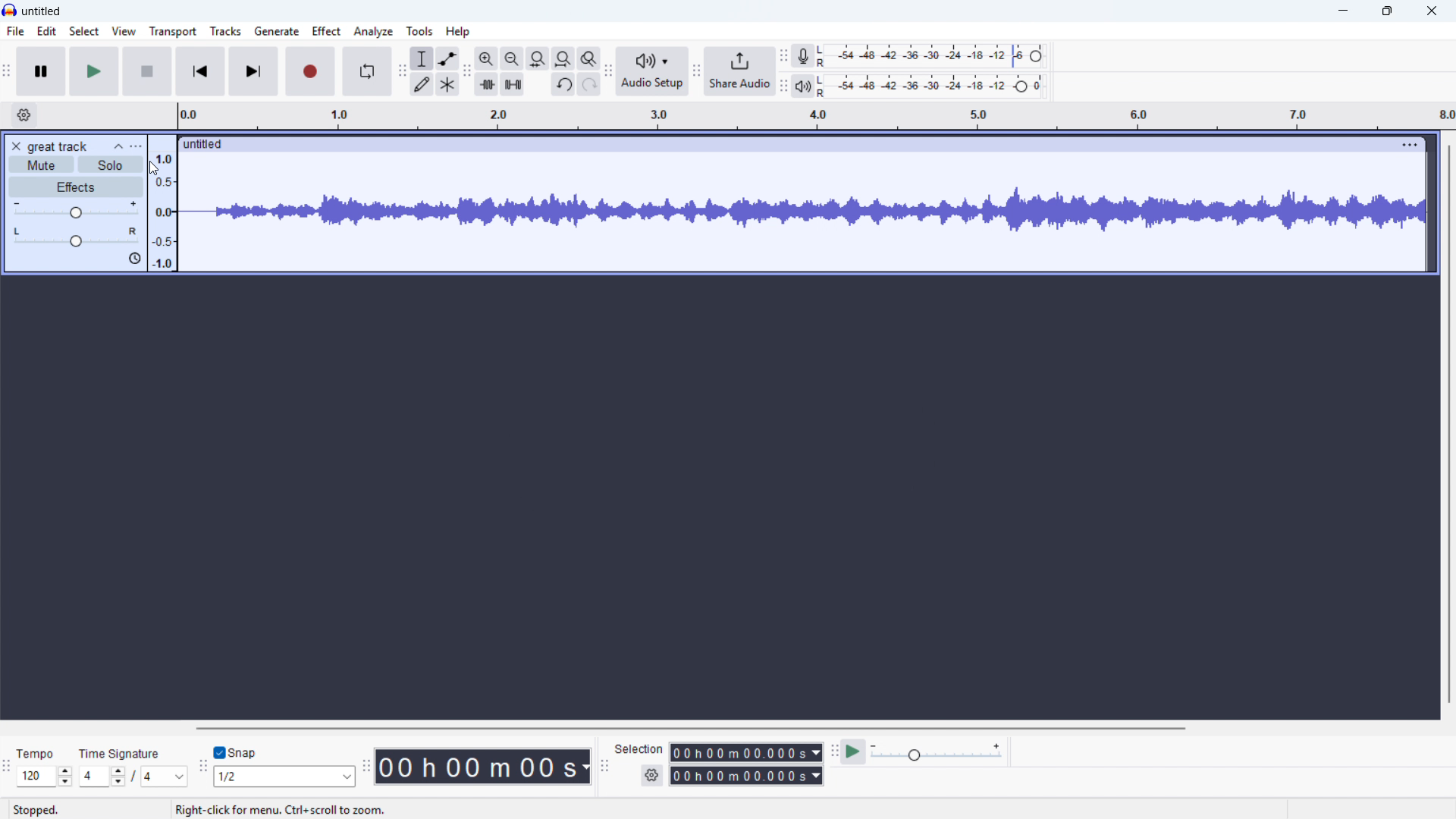 The height and width of the screenshot is (819, 1456). I want to click on Playback metre , so click(803, 87).